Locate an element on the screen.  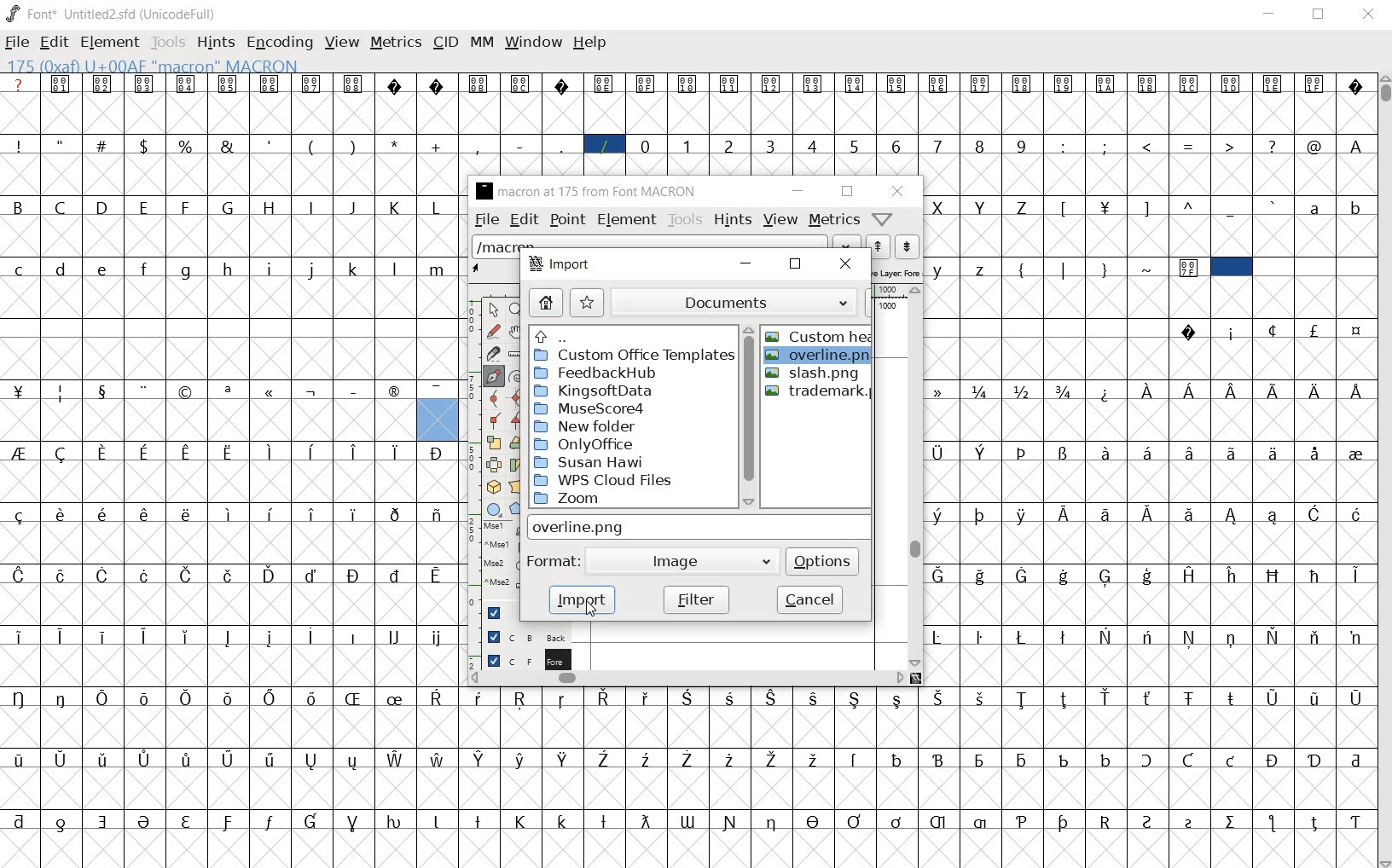
Symbol is located at coordinates (106, 635).